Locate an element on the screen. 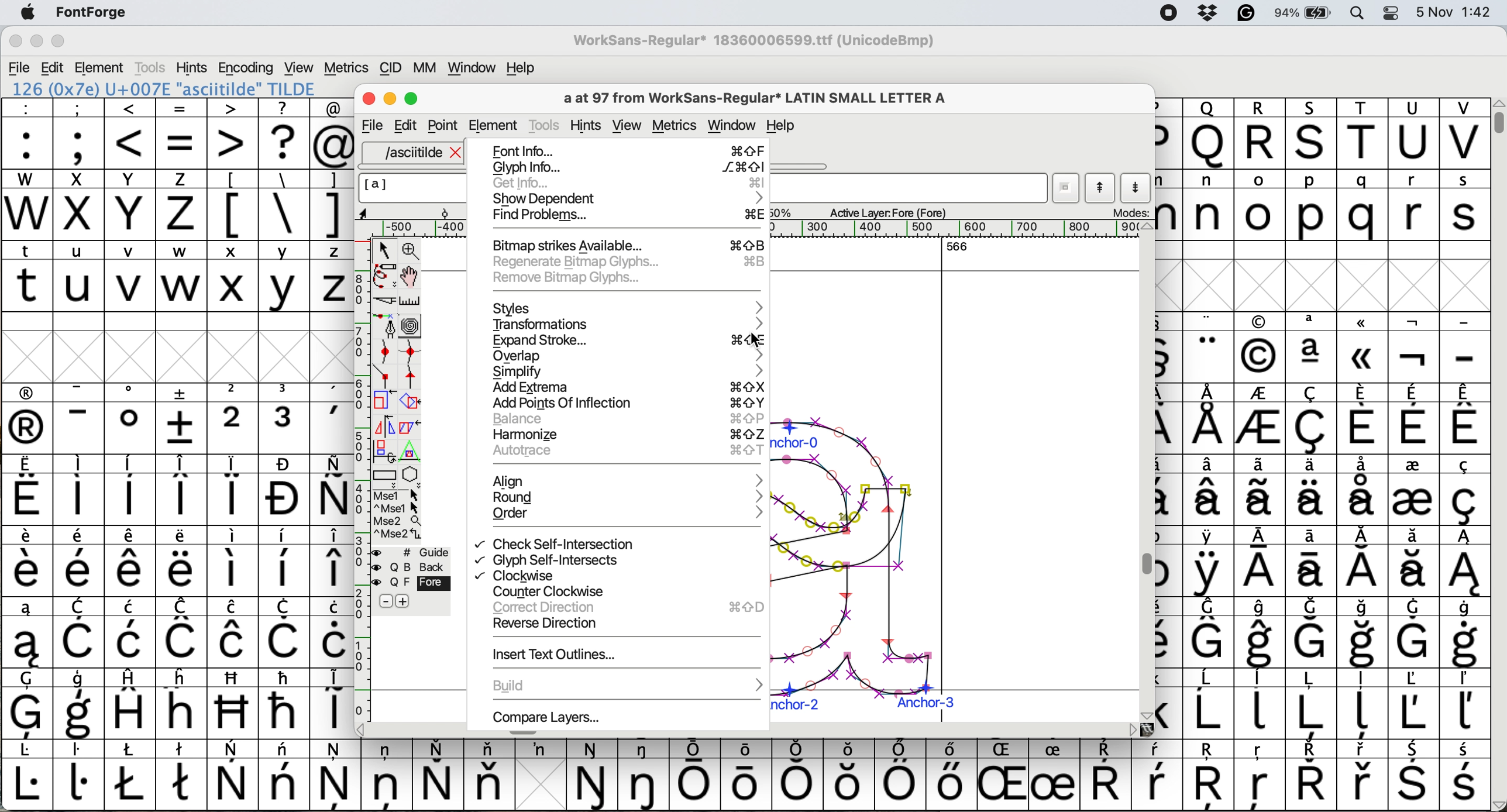 The image size is (1507, 812). symbol is located at coordinates (1414, 776).